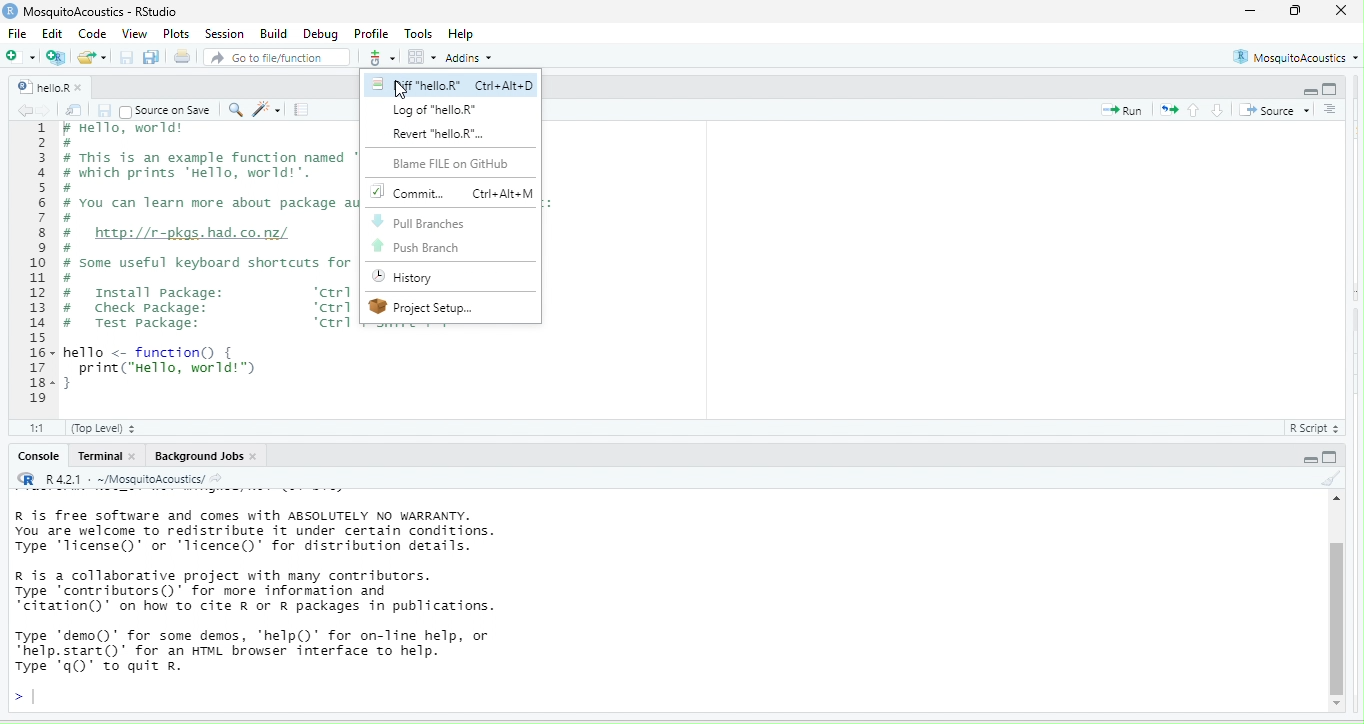  What do you see at coordinates (136, 480) in the screenshot?
I see `R R421 - ~/MosquitoAcoustics/` at bounding box center [136, 480].